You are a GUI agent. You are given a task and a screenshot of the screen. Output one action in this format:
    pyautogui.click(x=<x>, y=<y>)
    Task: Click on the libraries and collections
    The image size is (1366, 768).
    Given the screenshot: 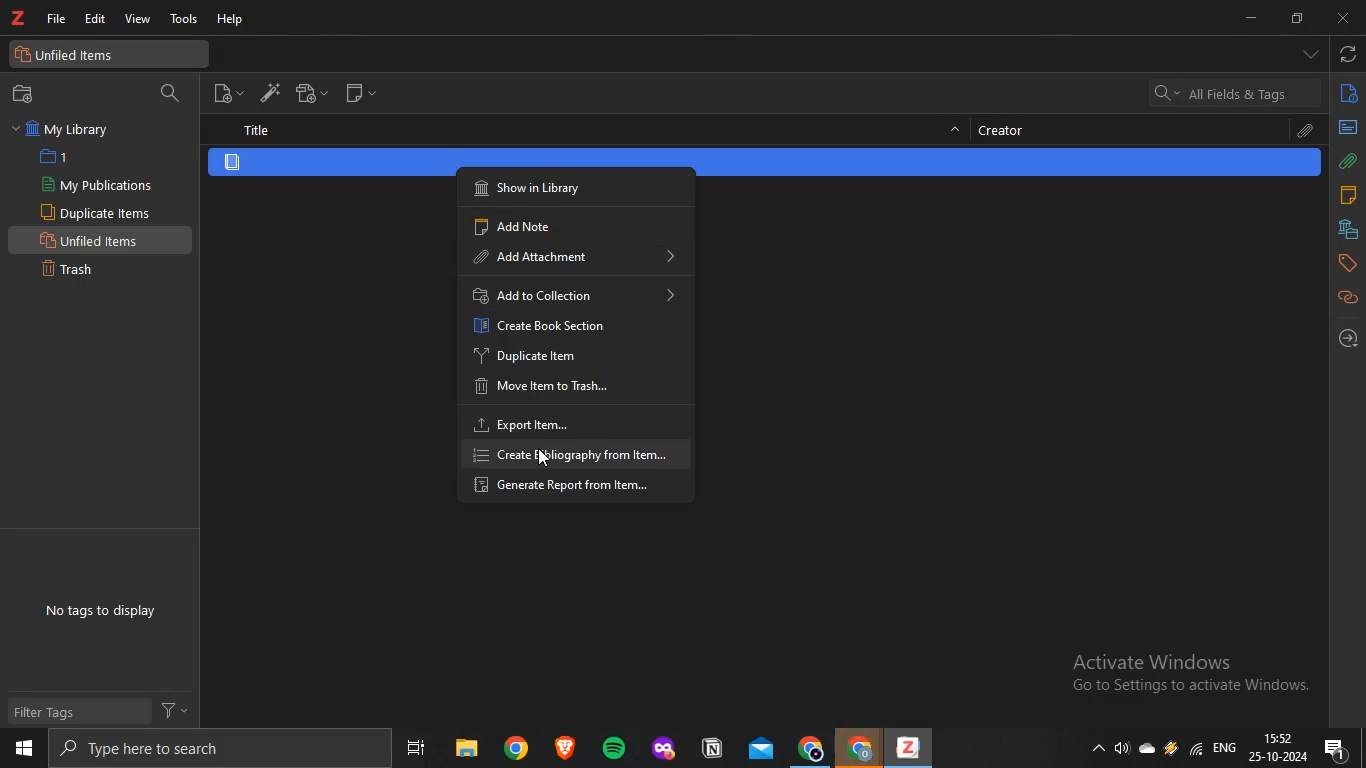 What is the action you would take?
    pyautogui.click(x=1348, y=228)
    